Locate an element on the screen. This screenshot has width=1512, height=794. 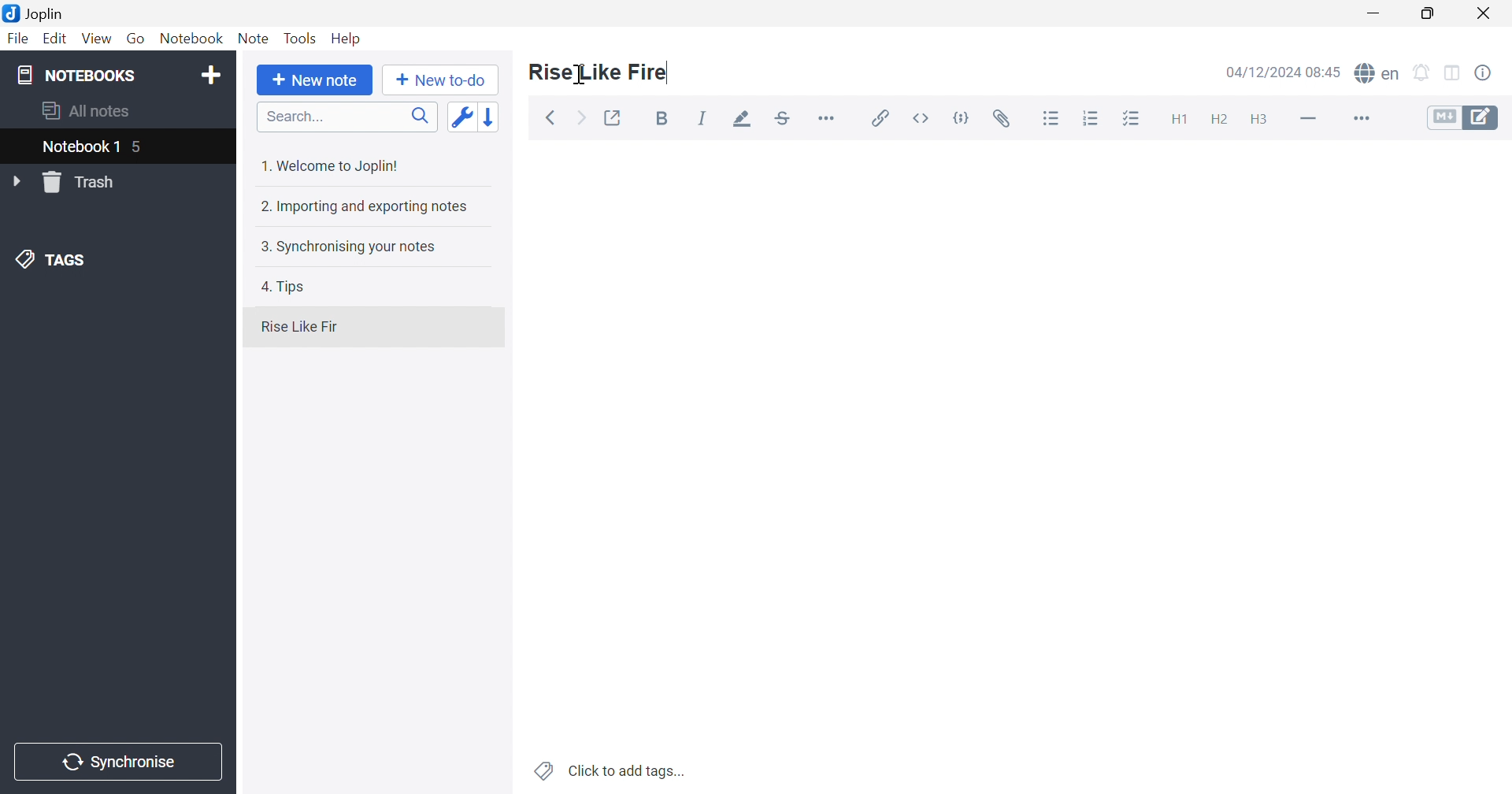
Toggle Editors is located at coordinates (1458, 121).